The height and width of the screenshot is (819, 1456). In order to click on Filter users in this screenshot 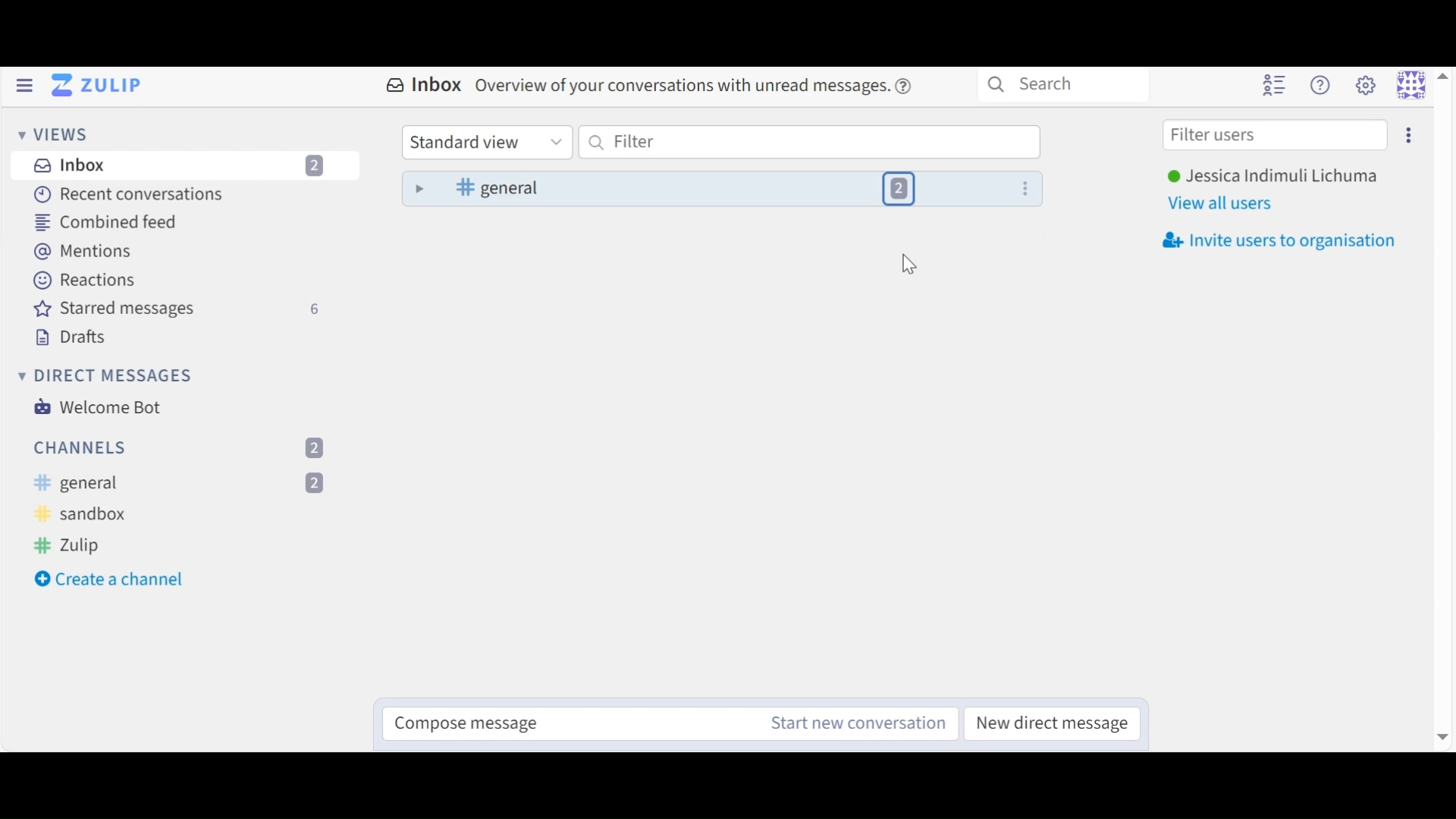, I will do `click(1276, 135)`.